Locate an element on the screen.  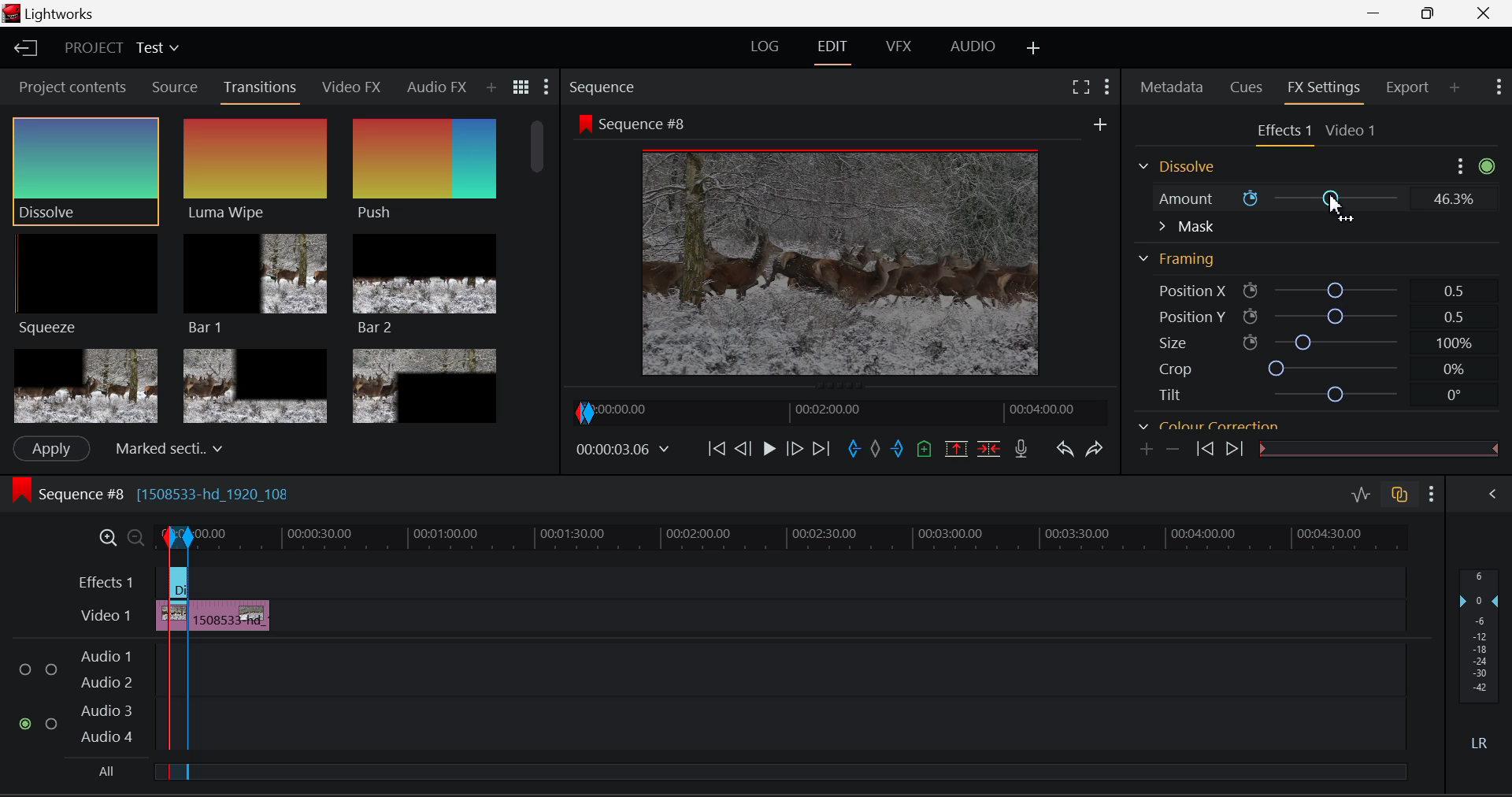
Bar 2 is located at coordinates (424, 284).